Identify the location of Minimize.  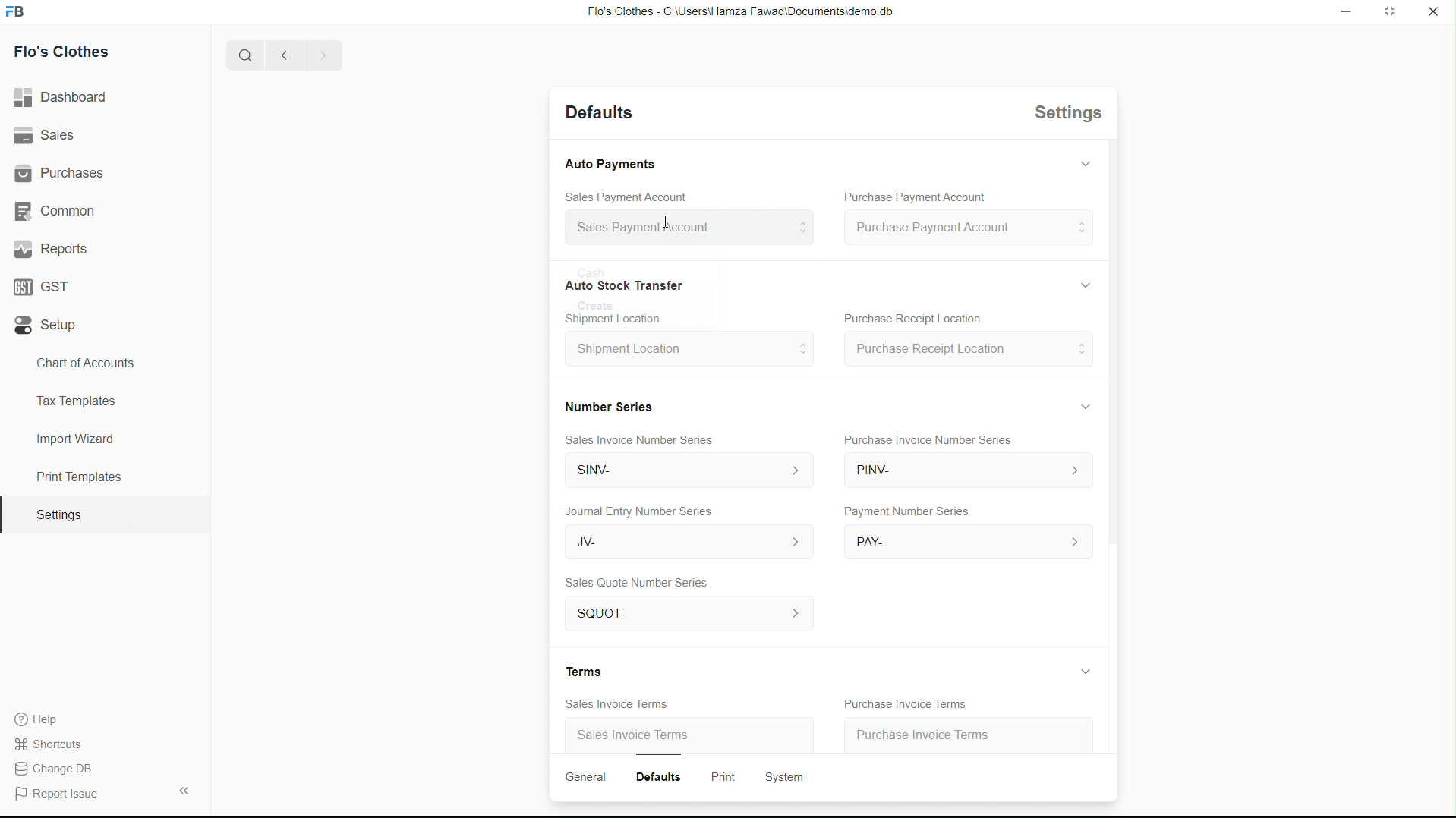
(1343, 12).